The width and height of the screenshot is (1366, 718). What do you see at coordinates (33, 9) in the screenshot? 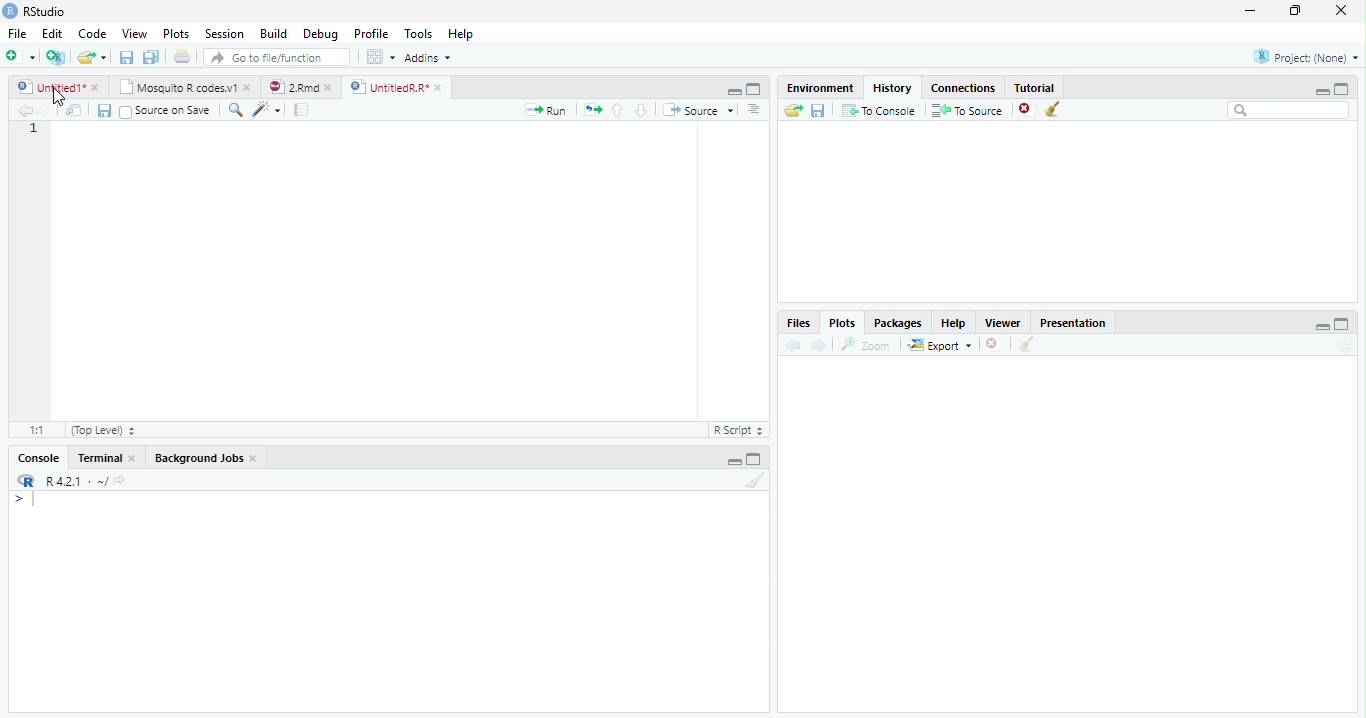
I see `Rstudio` at bounding box center [33, 9].